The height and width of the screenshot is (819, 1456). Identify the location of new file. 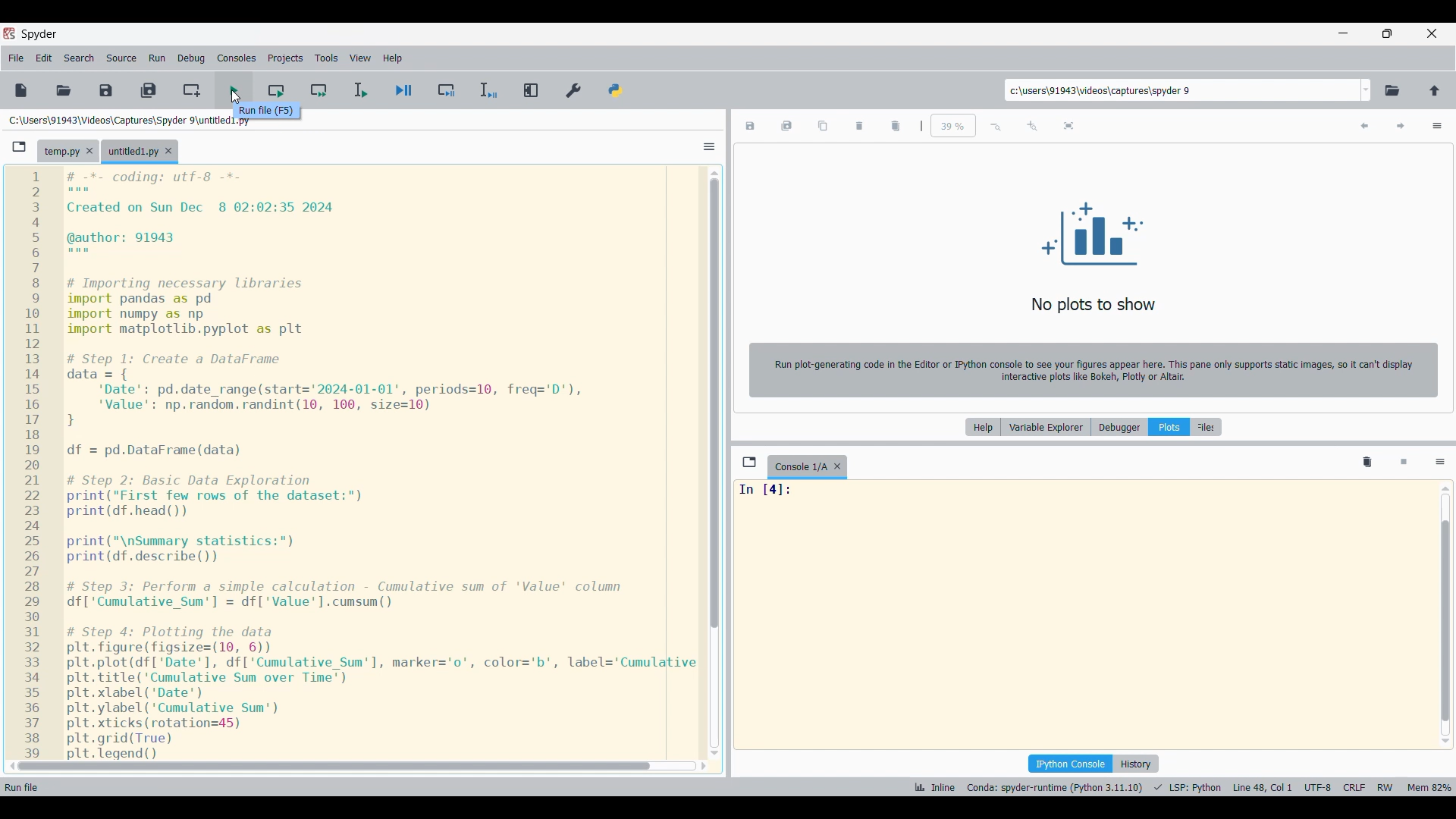
(22, 90).